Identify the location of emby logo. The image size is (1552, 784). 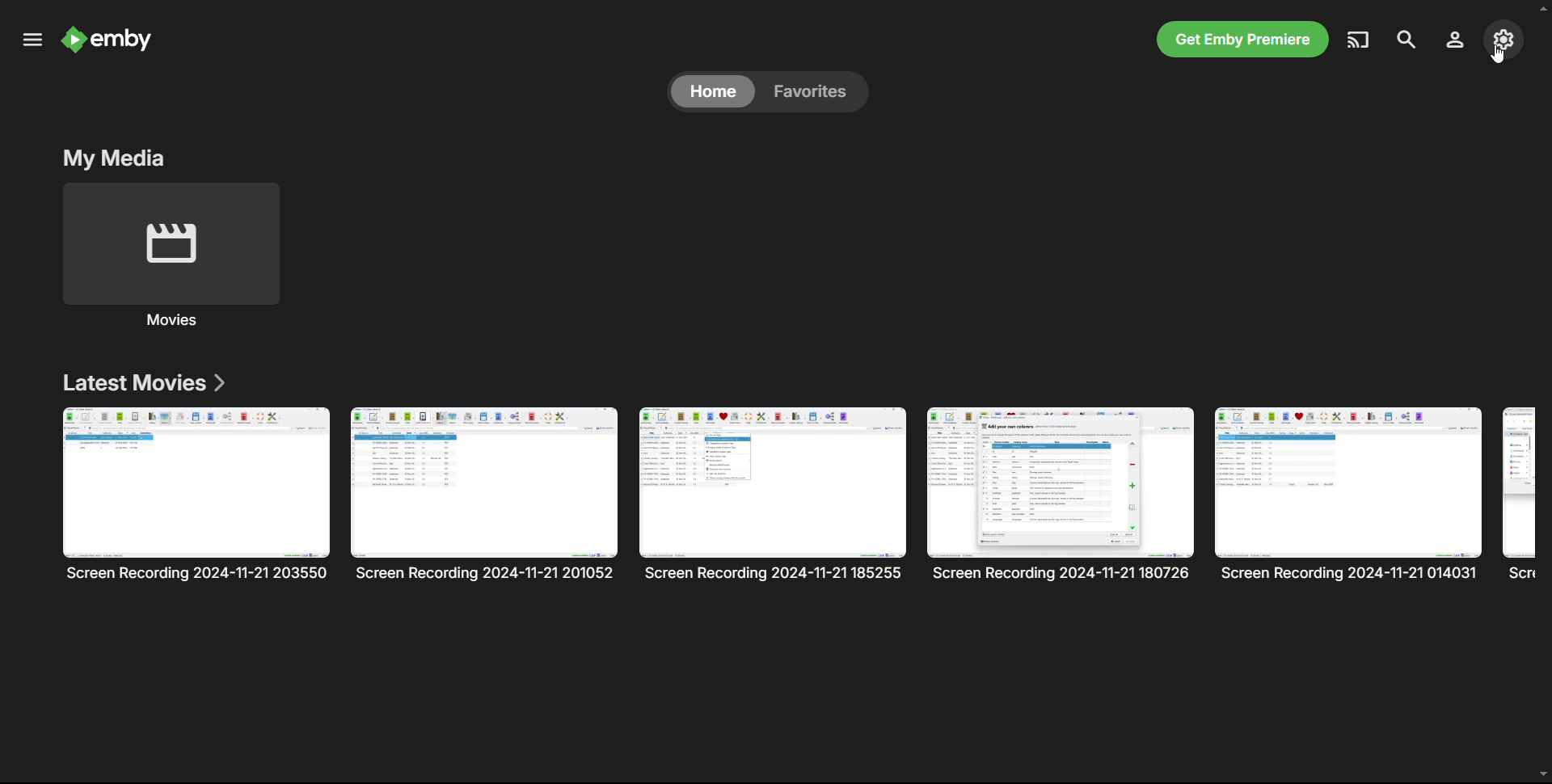
(72, 39).